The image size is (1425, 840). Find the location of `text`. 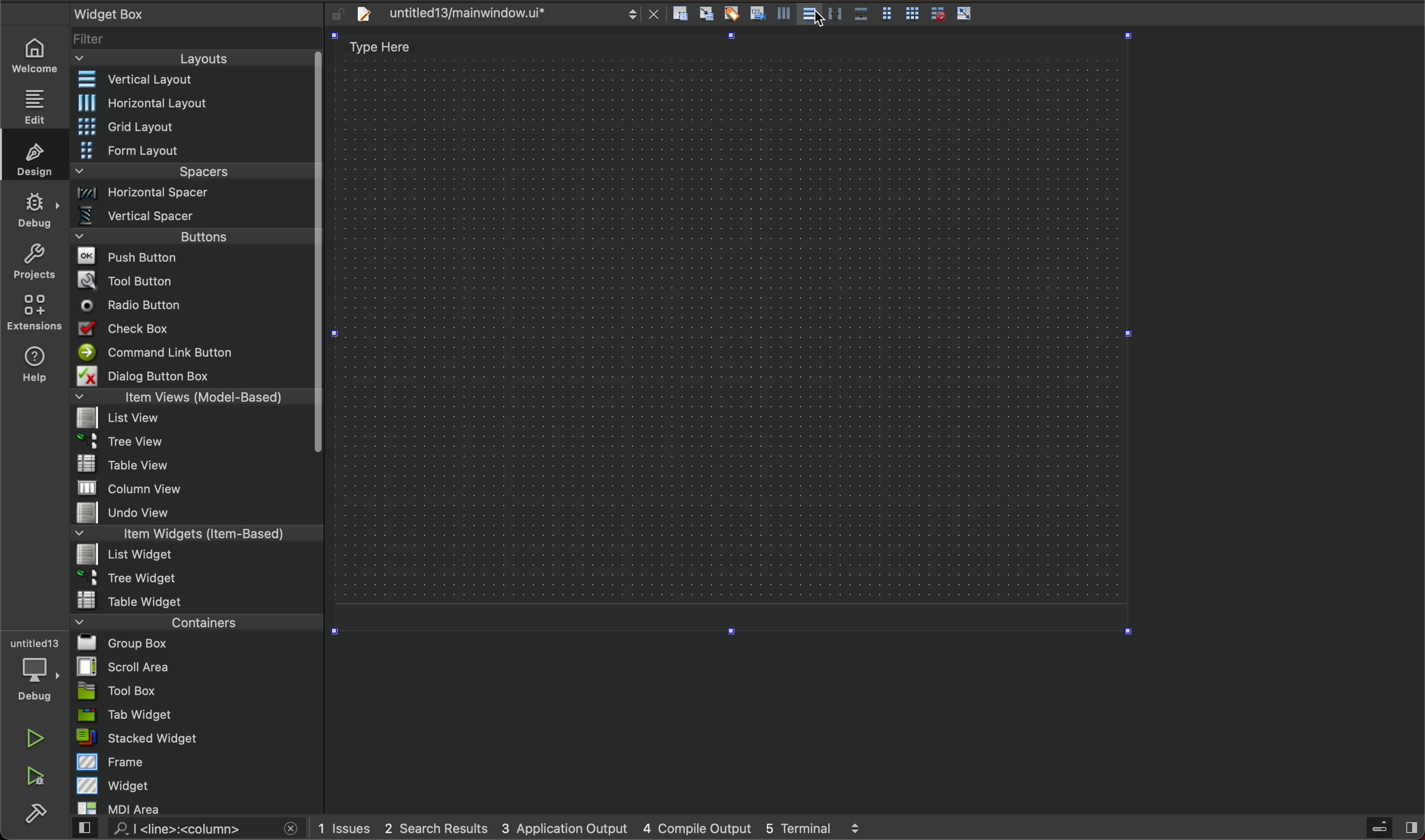

text is located at coordinates (381, 48).